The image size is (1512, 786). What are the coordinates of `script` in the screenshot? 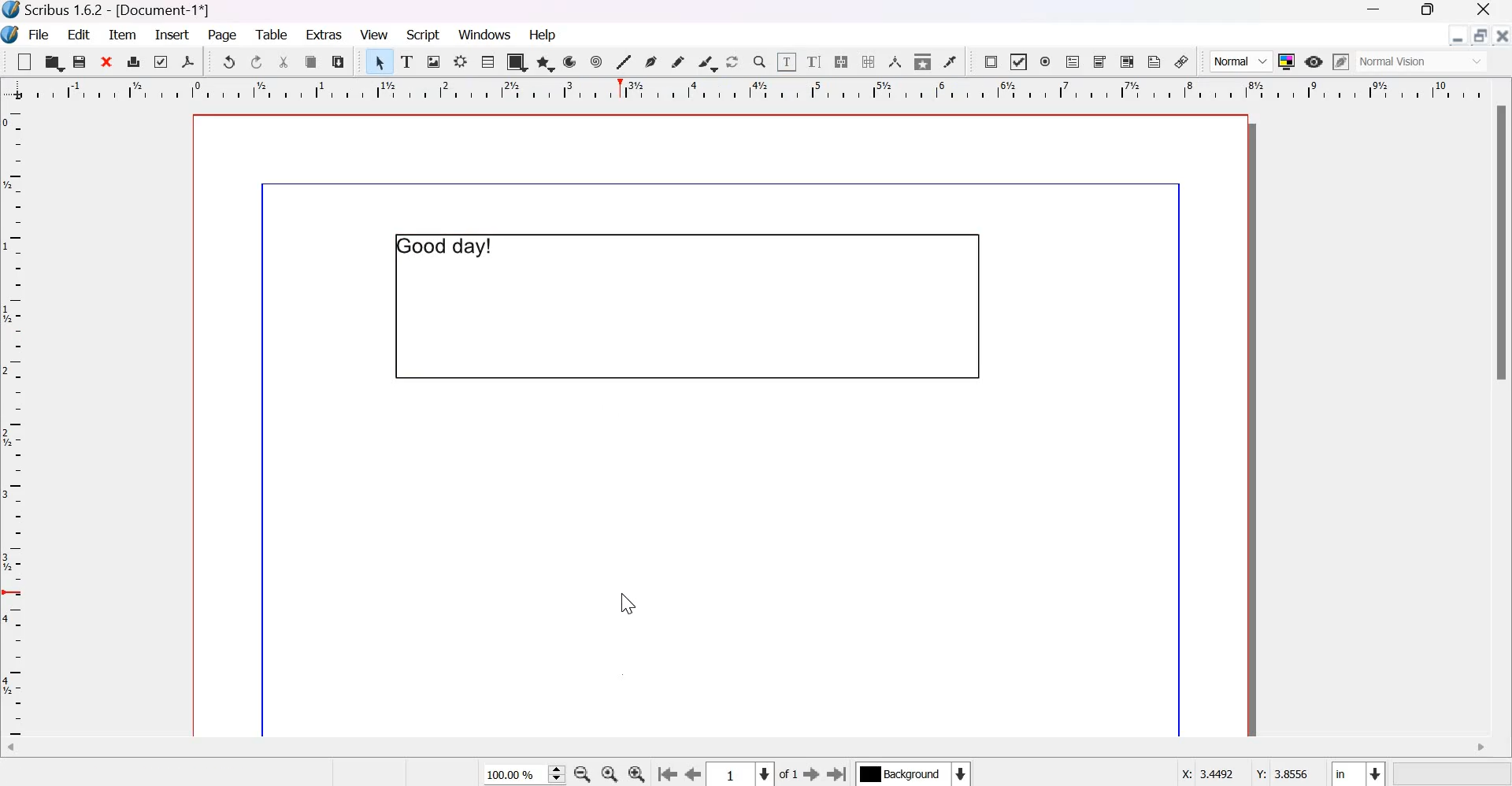 It's located at (424, 35).